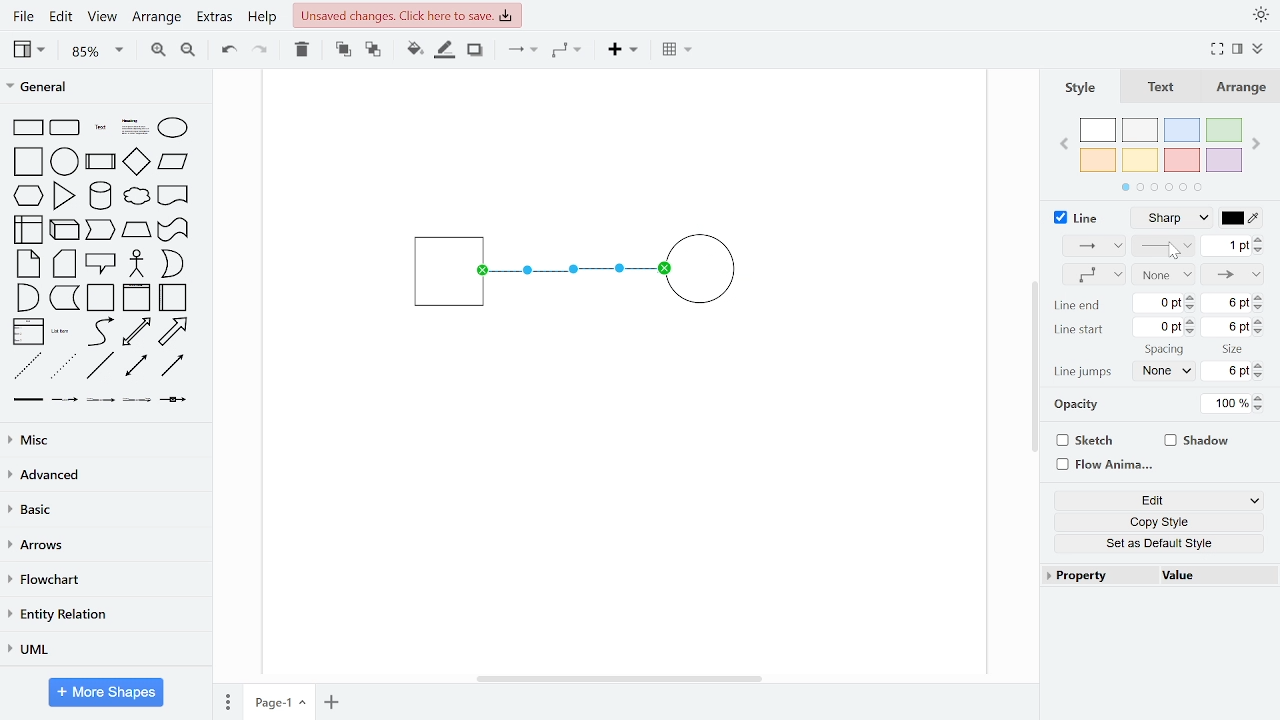  What do you see at coordinates (1234, 350) in the screenshot?
I see `size` at bounding box center [1234, 350].